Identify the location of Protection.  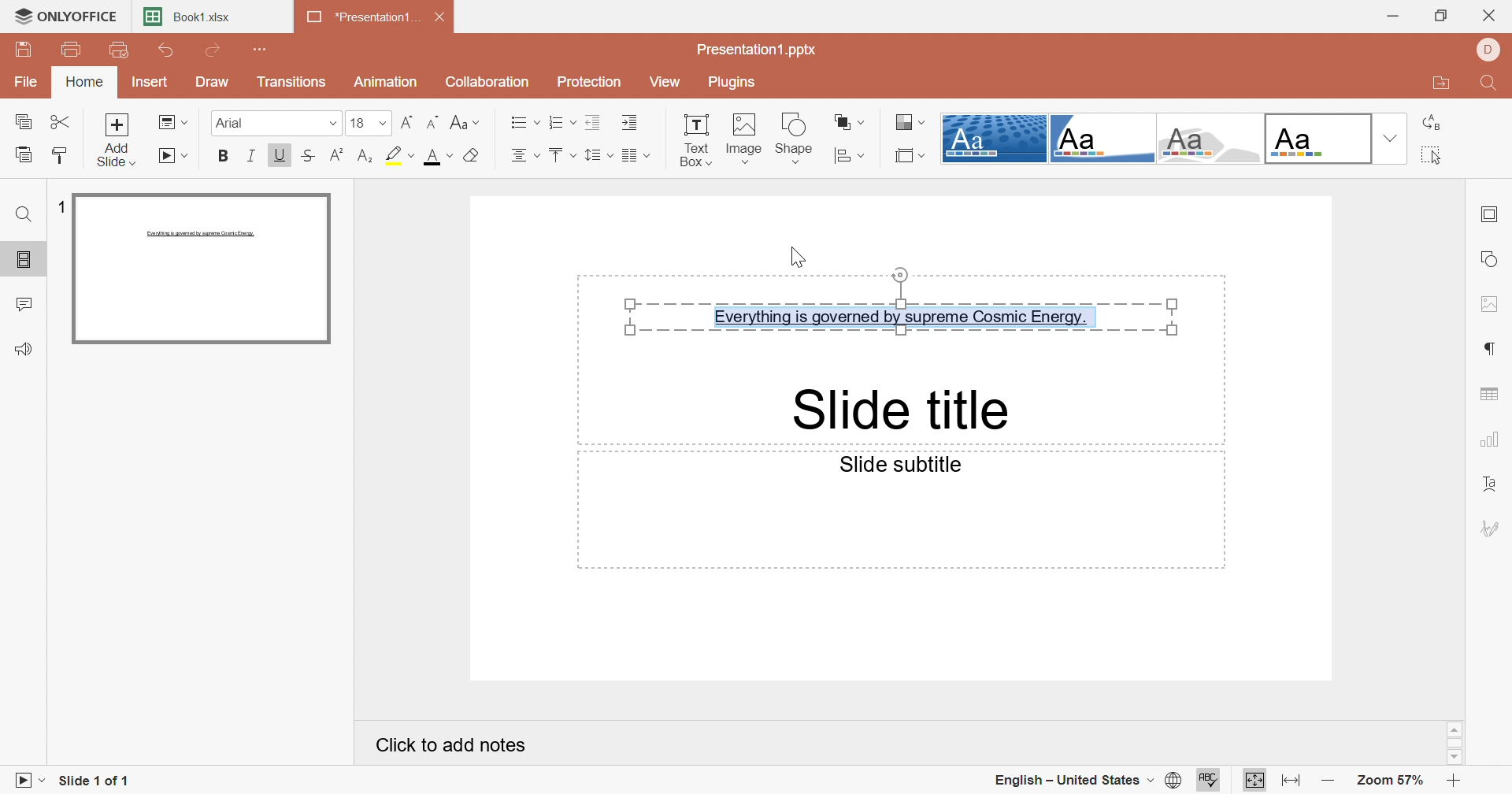
(589, 83).